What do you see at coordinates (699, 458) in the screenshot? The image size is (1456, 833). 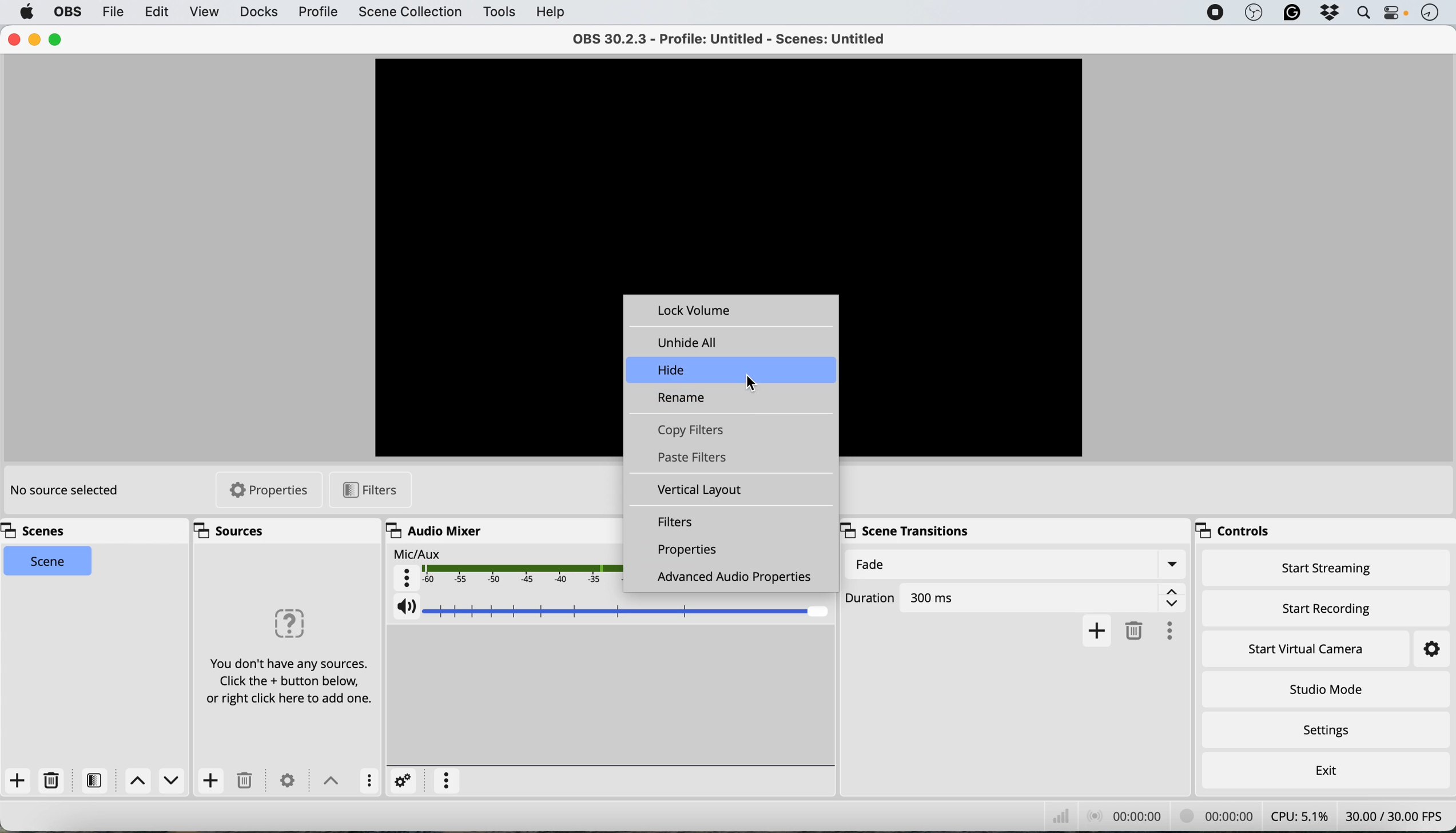 I see `paste filters` at bounding box center [699, 458].